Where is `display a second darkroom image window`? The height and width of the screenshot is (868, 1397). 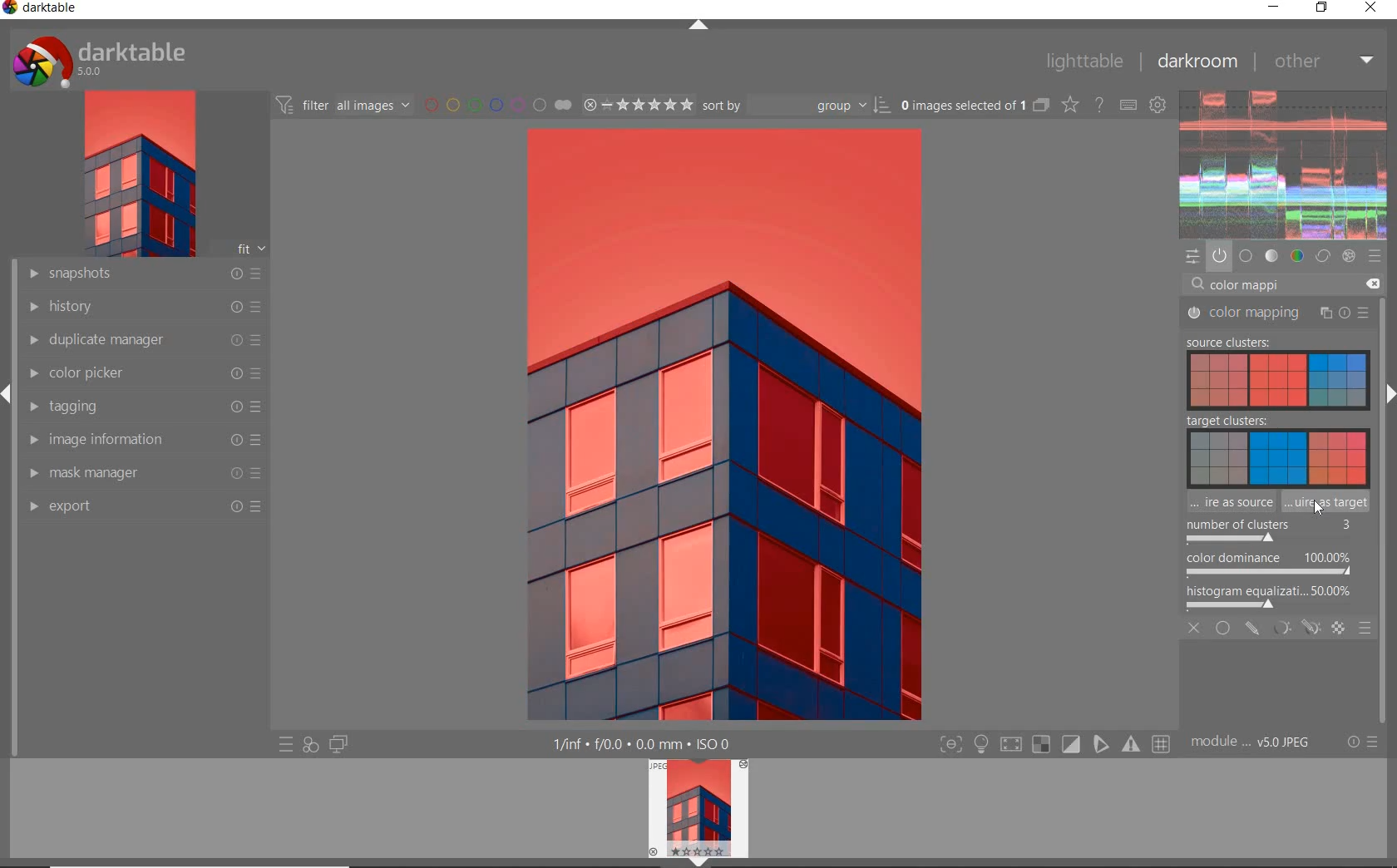
display a second darkroom image window is located at coordinates (336, 747).